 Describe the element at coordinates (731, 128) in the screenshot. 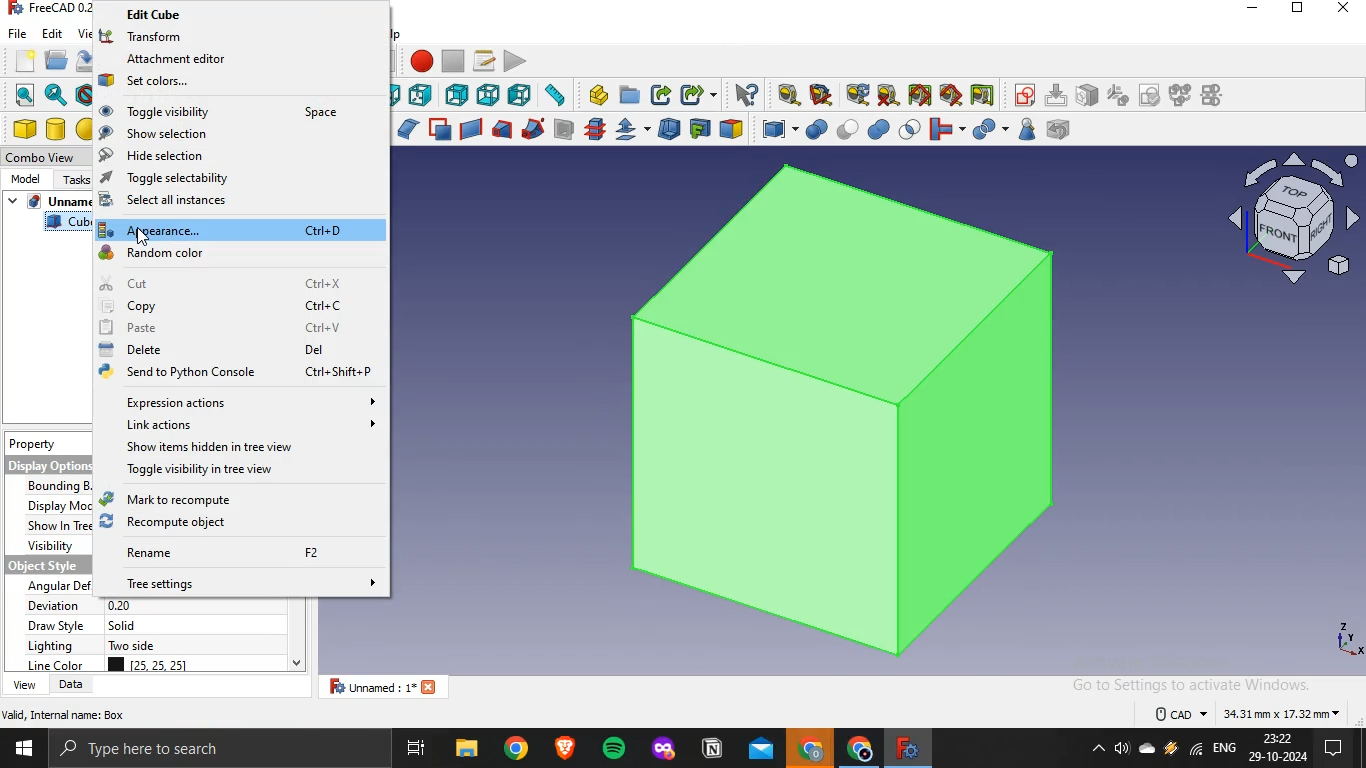

I see `color per face` at that location.